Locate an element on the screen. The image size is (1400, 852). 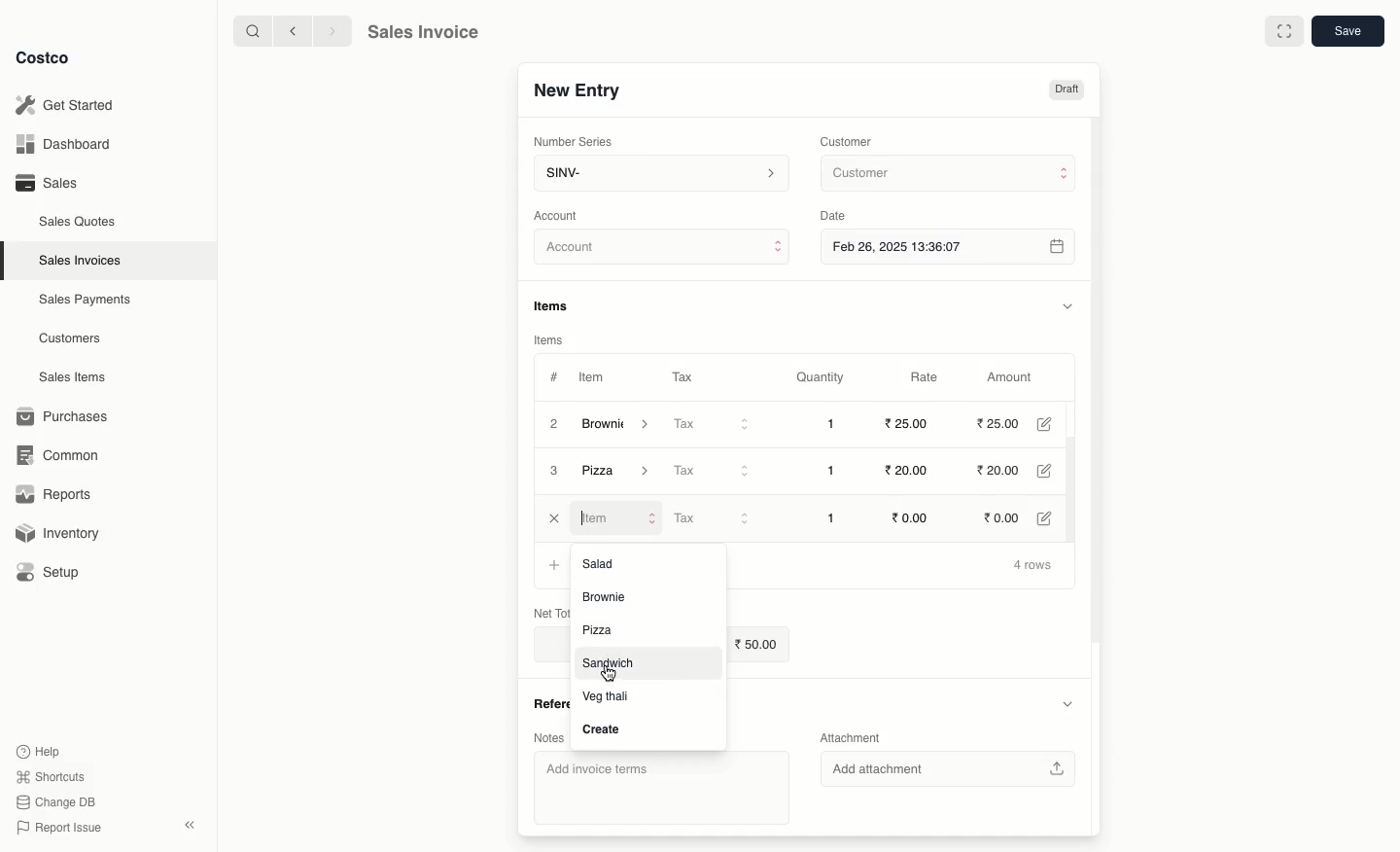
25.00 is located at coordinates (1000, 424).